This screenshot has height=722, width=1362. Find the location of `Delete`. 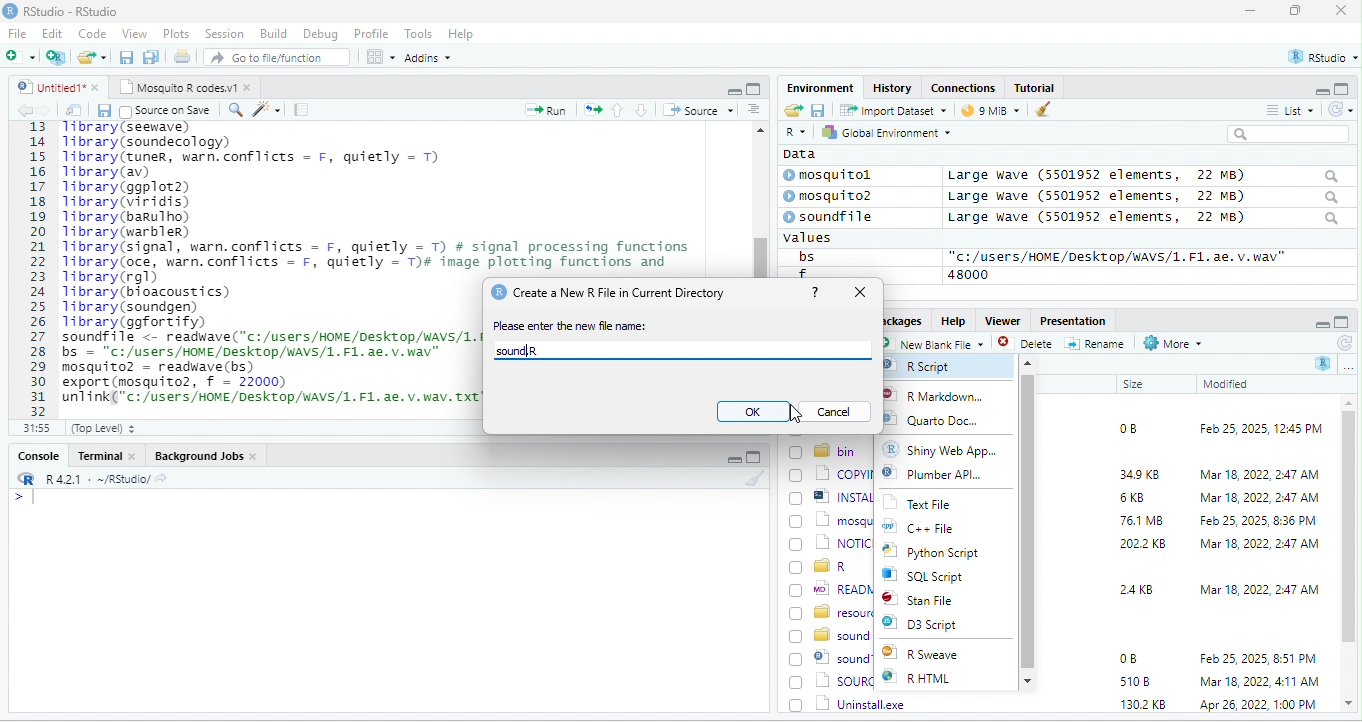

Delete is located at coordinates (1028, 344).